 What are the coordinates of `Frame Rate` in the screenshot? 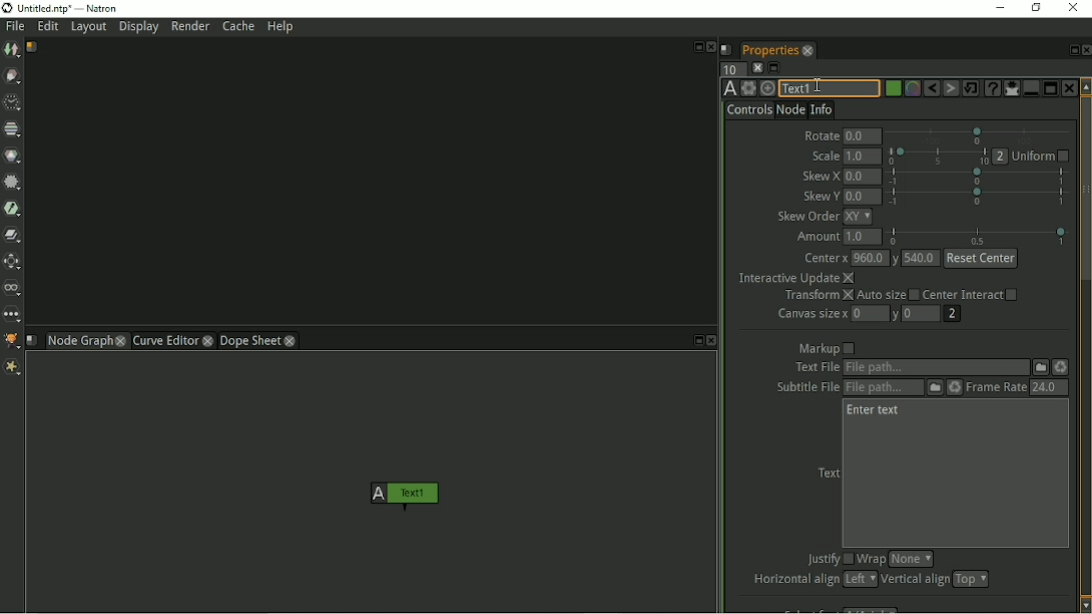 It's located at (995, 387).